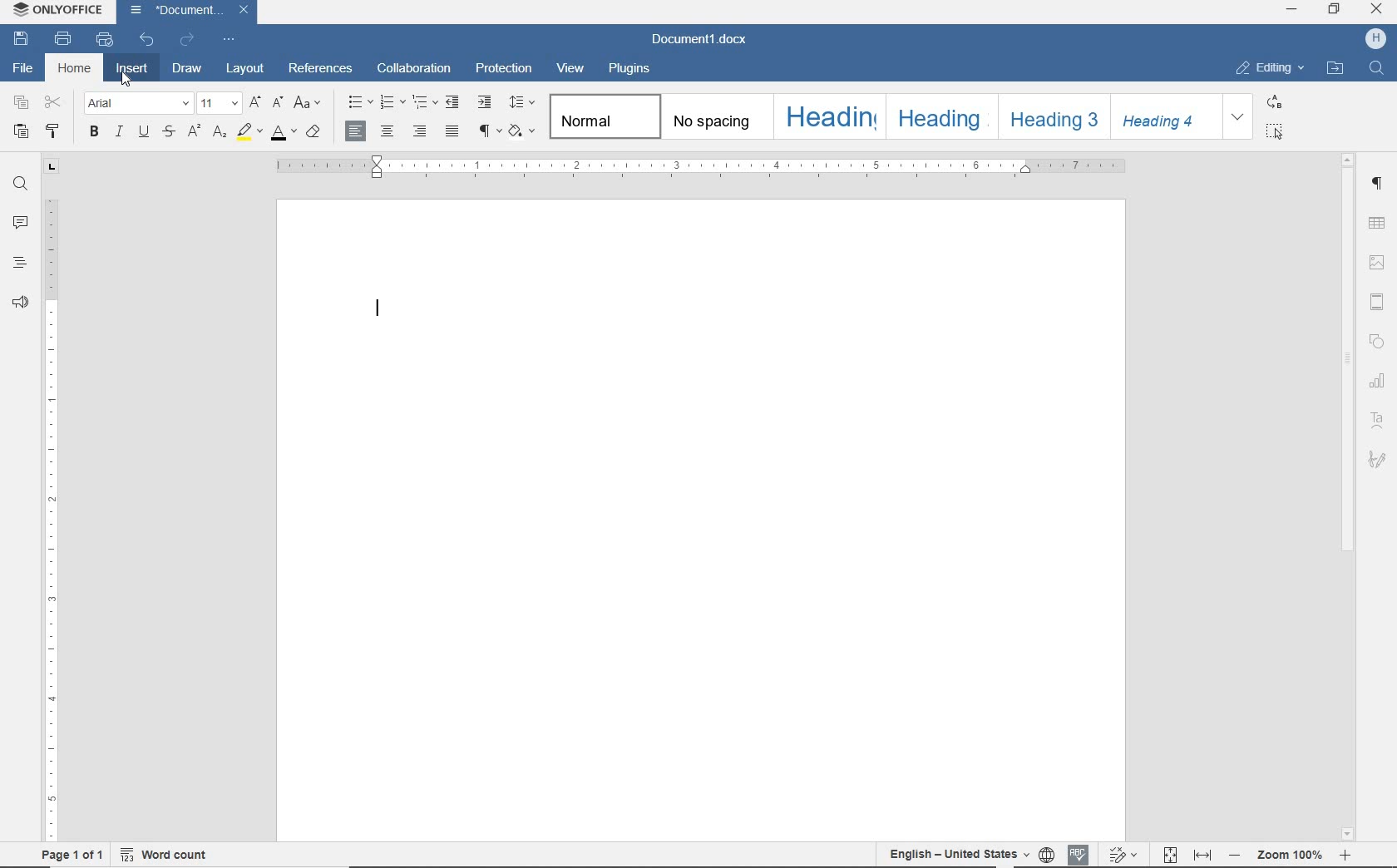 The width and height of the screenshot is (1397, 868). I want to click on set document language, so click(1045, 855).